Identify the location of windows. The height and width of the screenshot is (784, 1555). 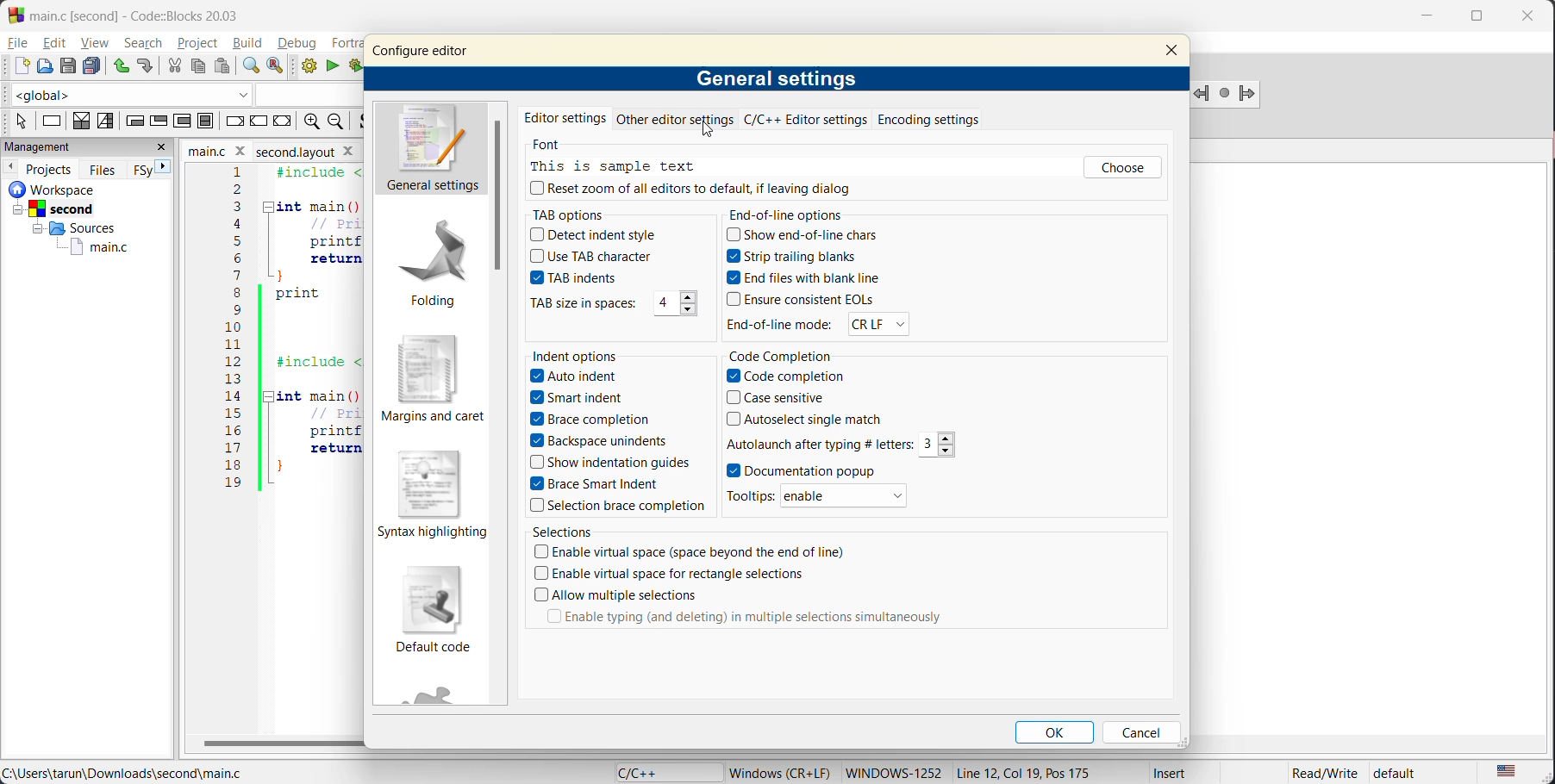
(891, 772).